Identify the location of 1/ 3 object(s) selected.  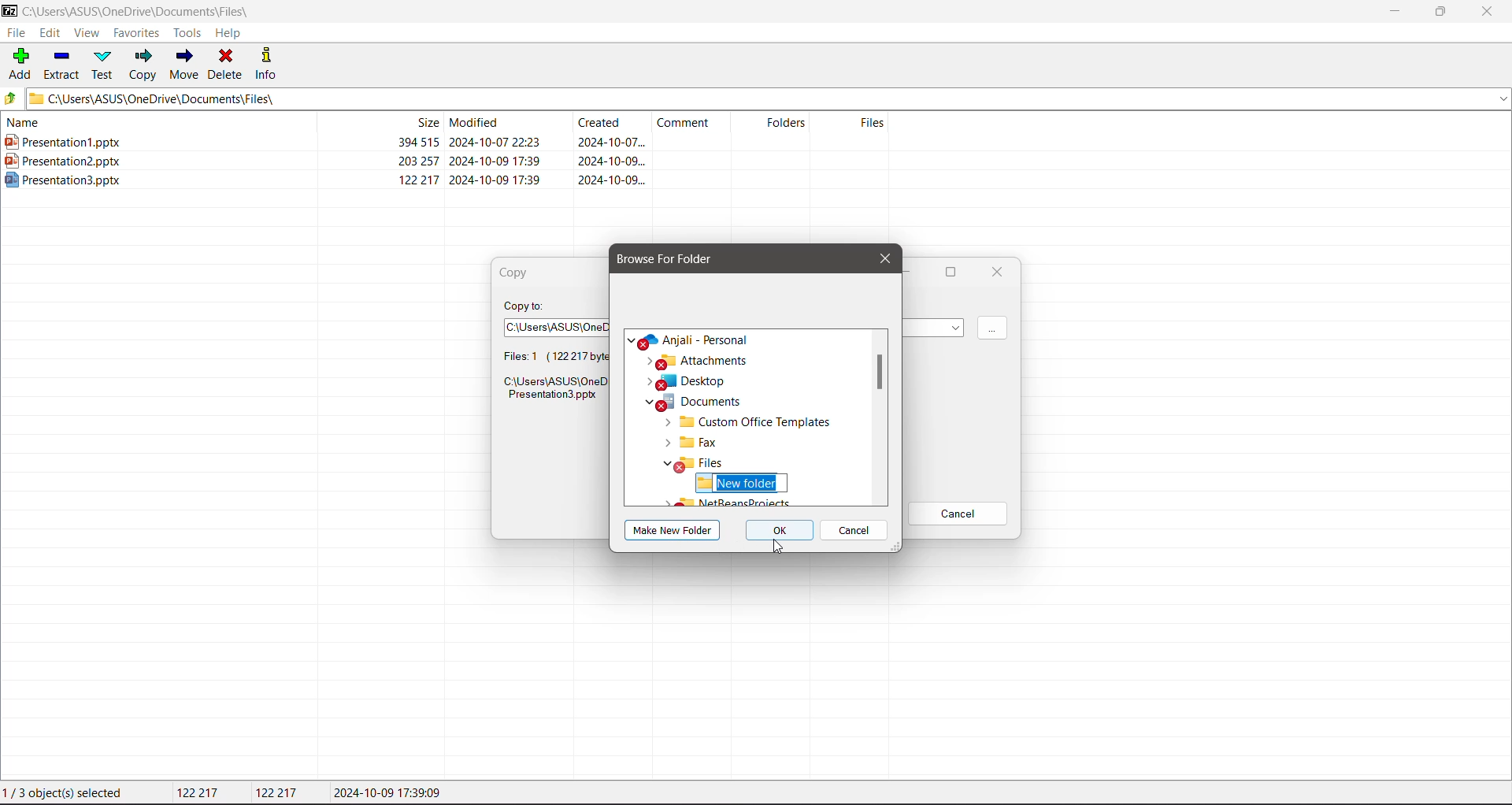
(66, 794).